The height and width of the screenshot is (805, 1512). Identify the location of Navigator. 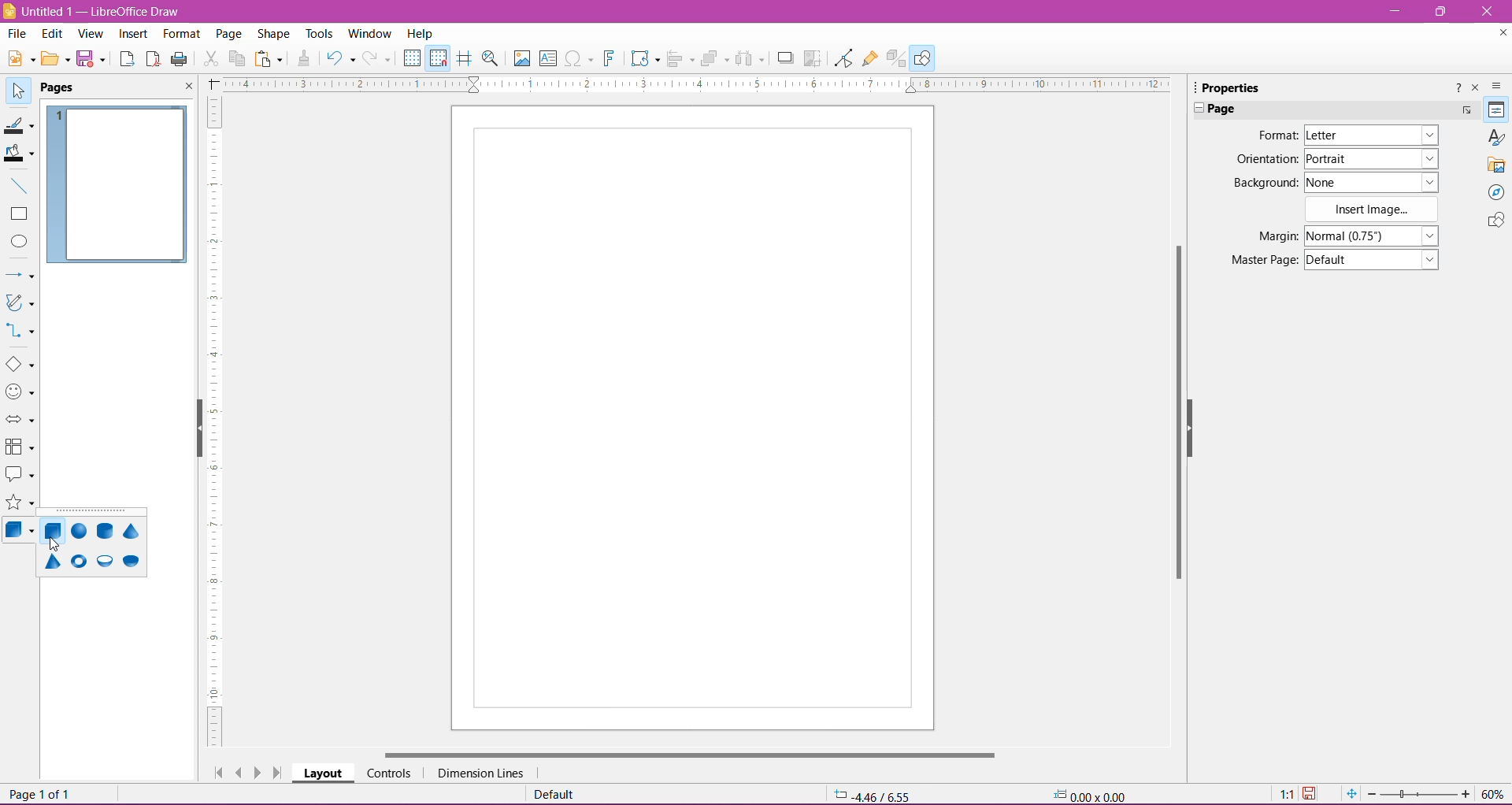
(1495, 192).